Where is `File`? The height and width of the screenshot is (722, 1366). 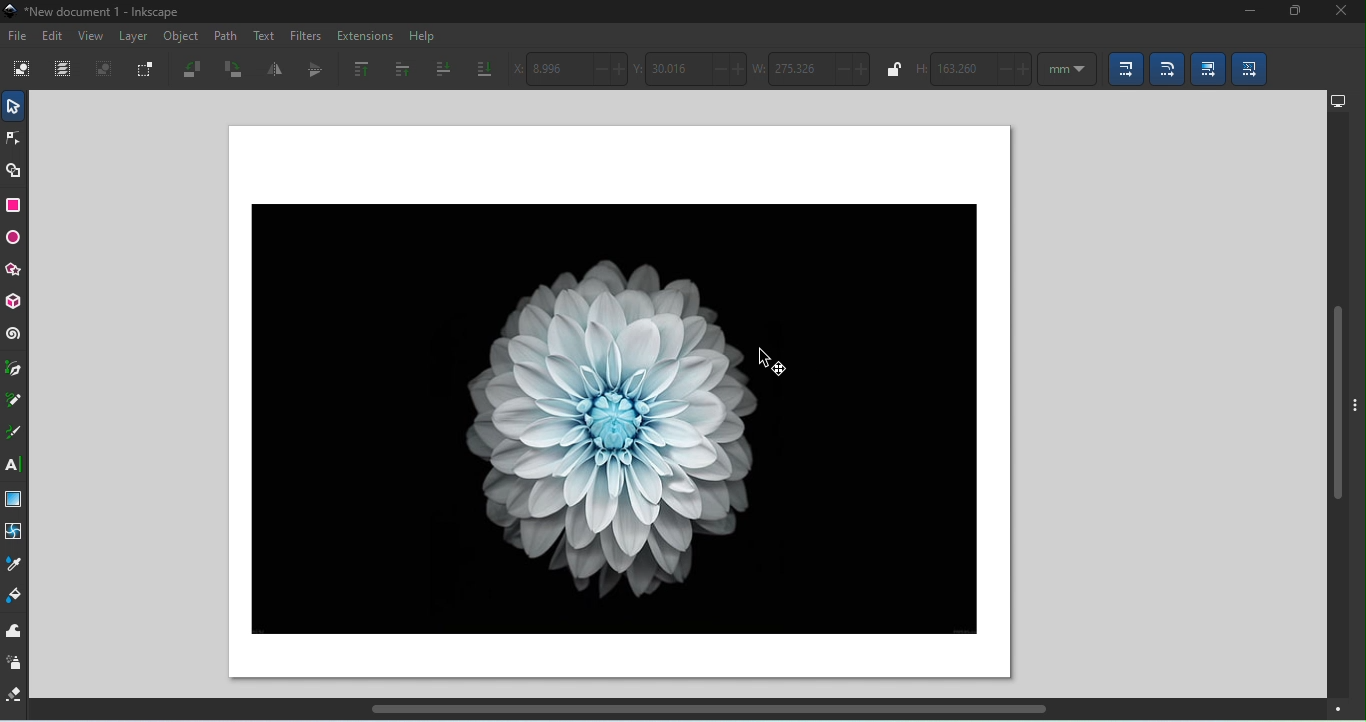
File is located at coordinates (17, 34).